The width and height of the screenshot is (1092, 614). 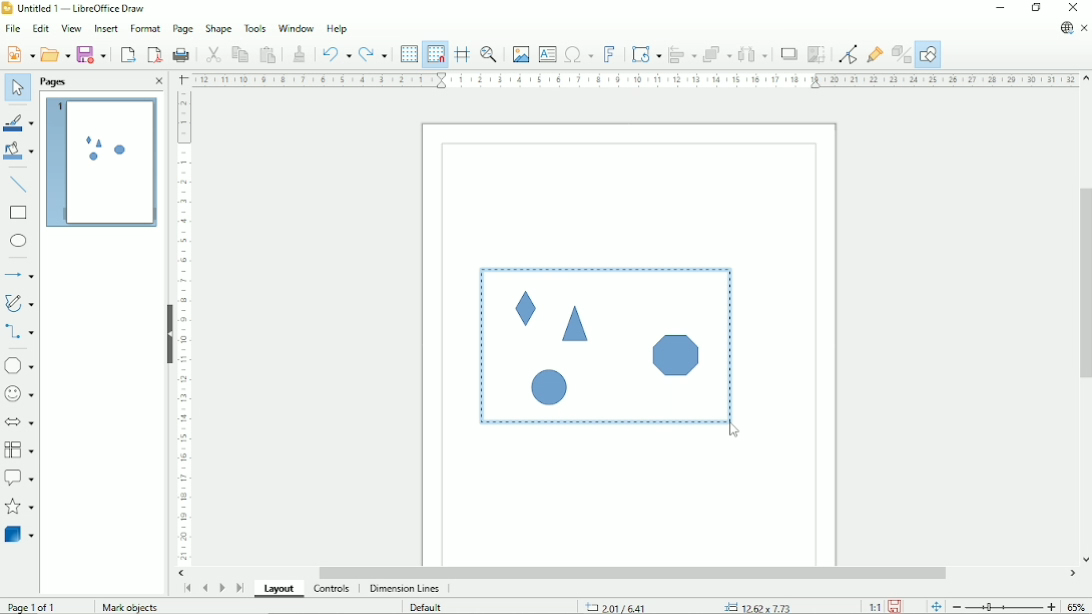 I want to click on Connectors, so click(x=20, y=333).